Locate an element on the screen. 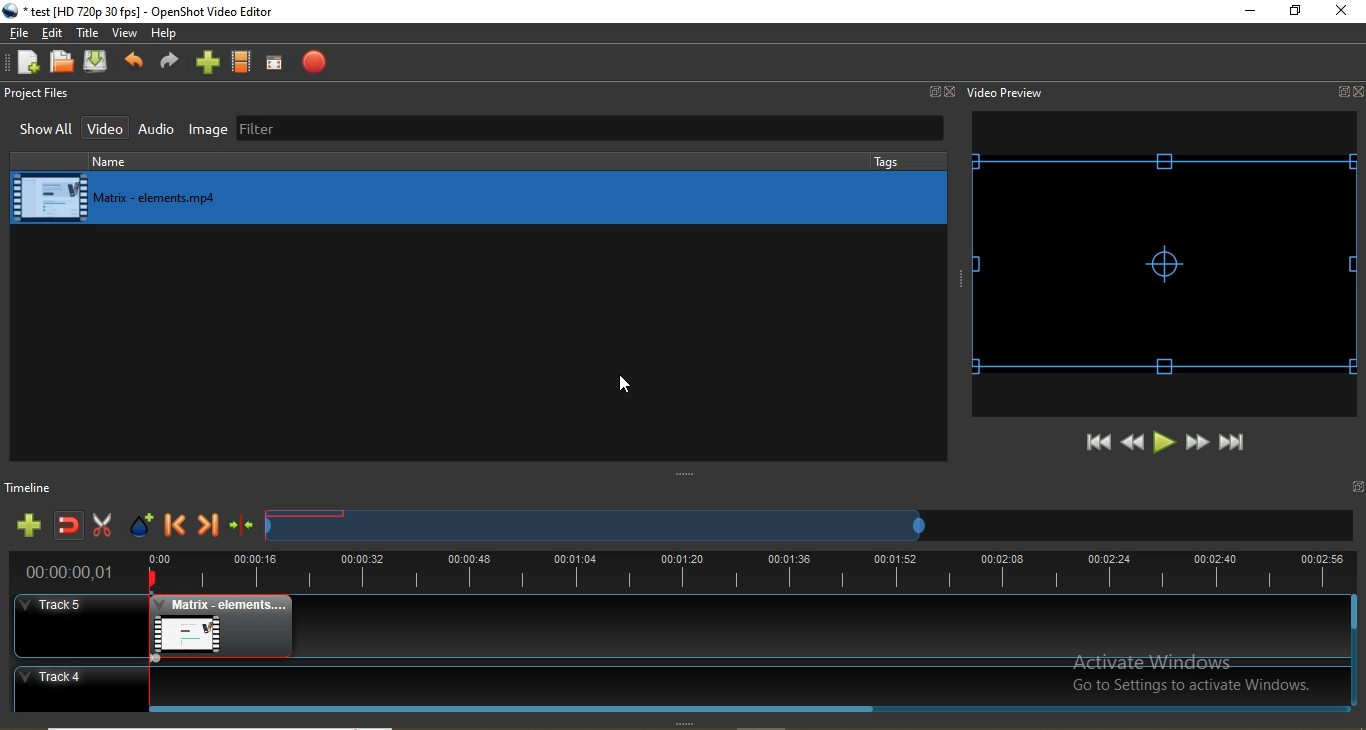 This screenshot has width=1366, height=730. Track is located at coordinates (679, 624).